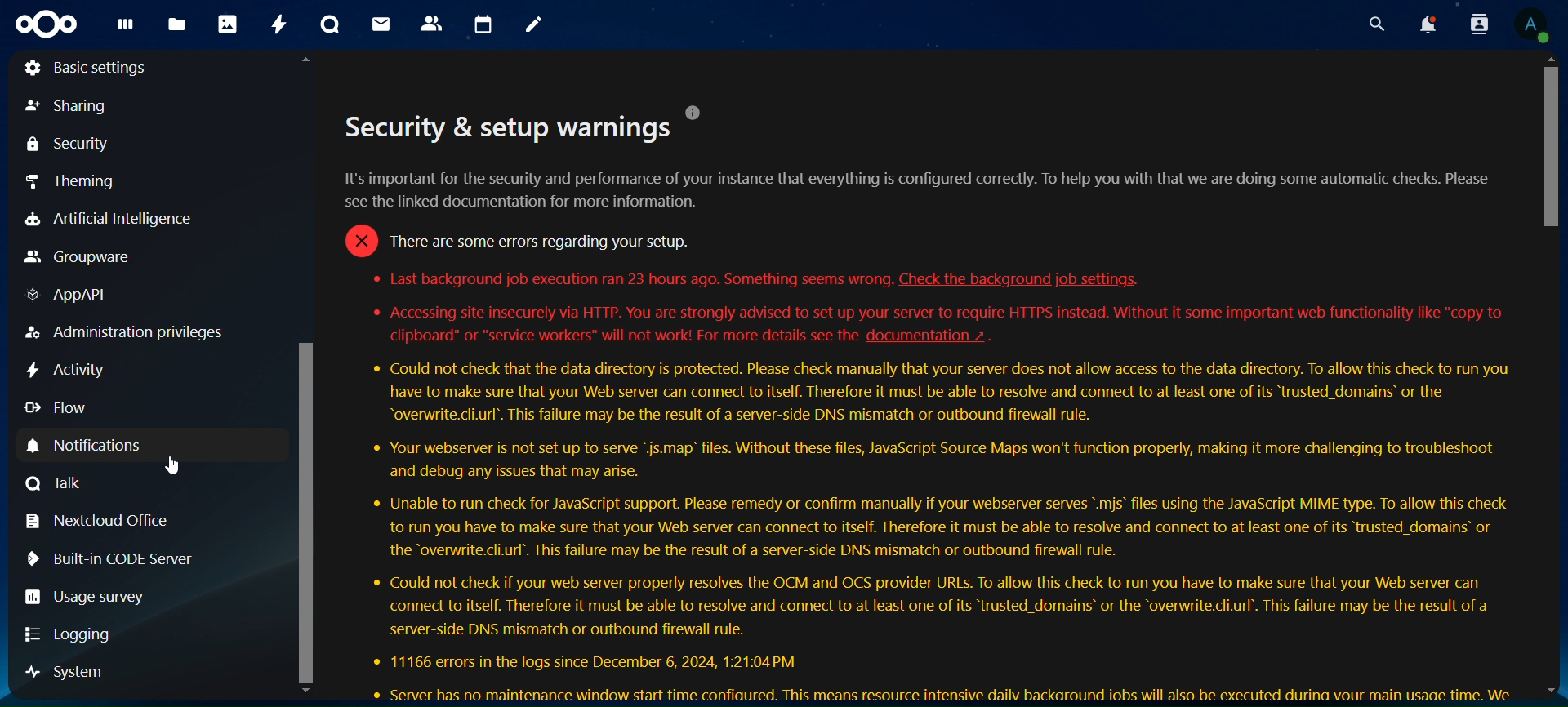 This screenshot has width=1568, height=707. Describe the element at coordinates (278, 27) in the screenshot. I see `activity` at that location.